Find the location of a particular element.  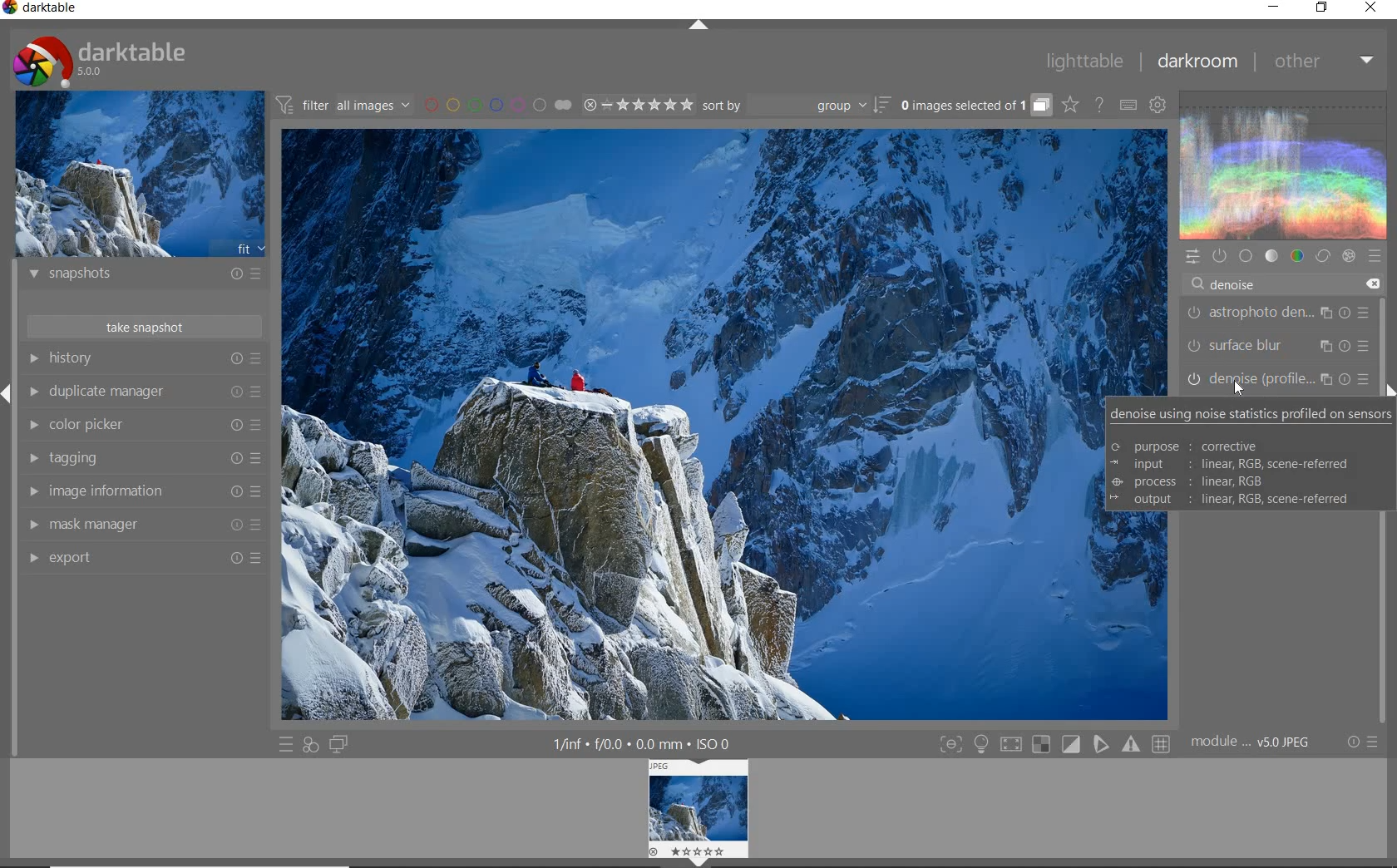

snapshots is located at coordinates (146, 276).